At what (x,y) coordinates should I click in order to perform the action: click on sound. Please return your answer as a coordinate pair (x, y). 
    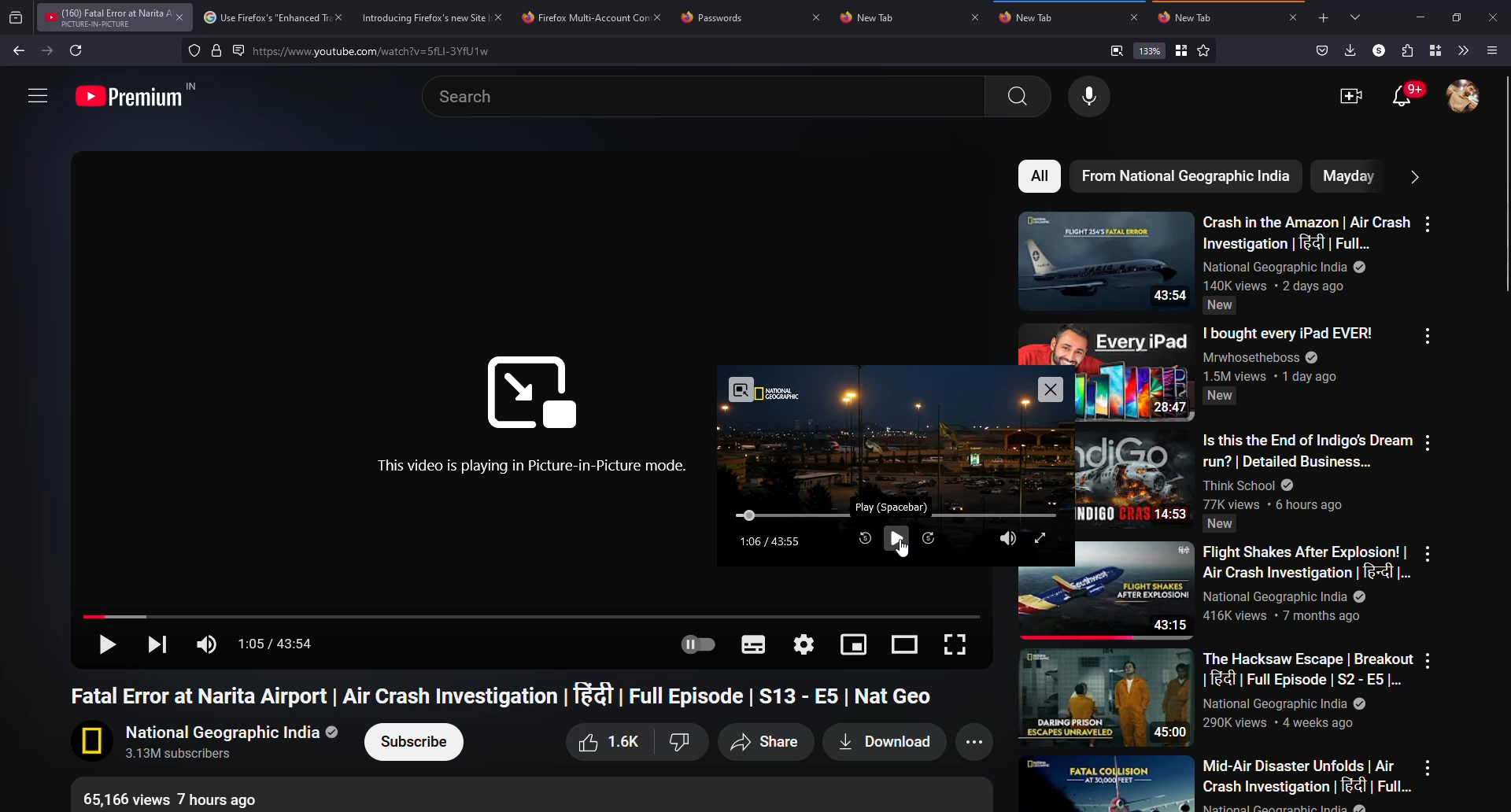
    Looking at the image, I should click on (209, 644).